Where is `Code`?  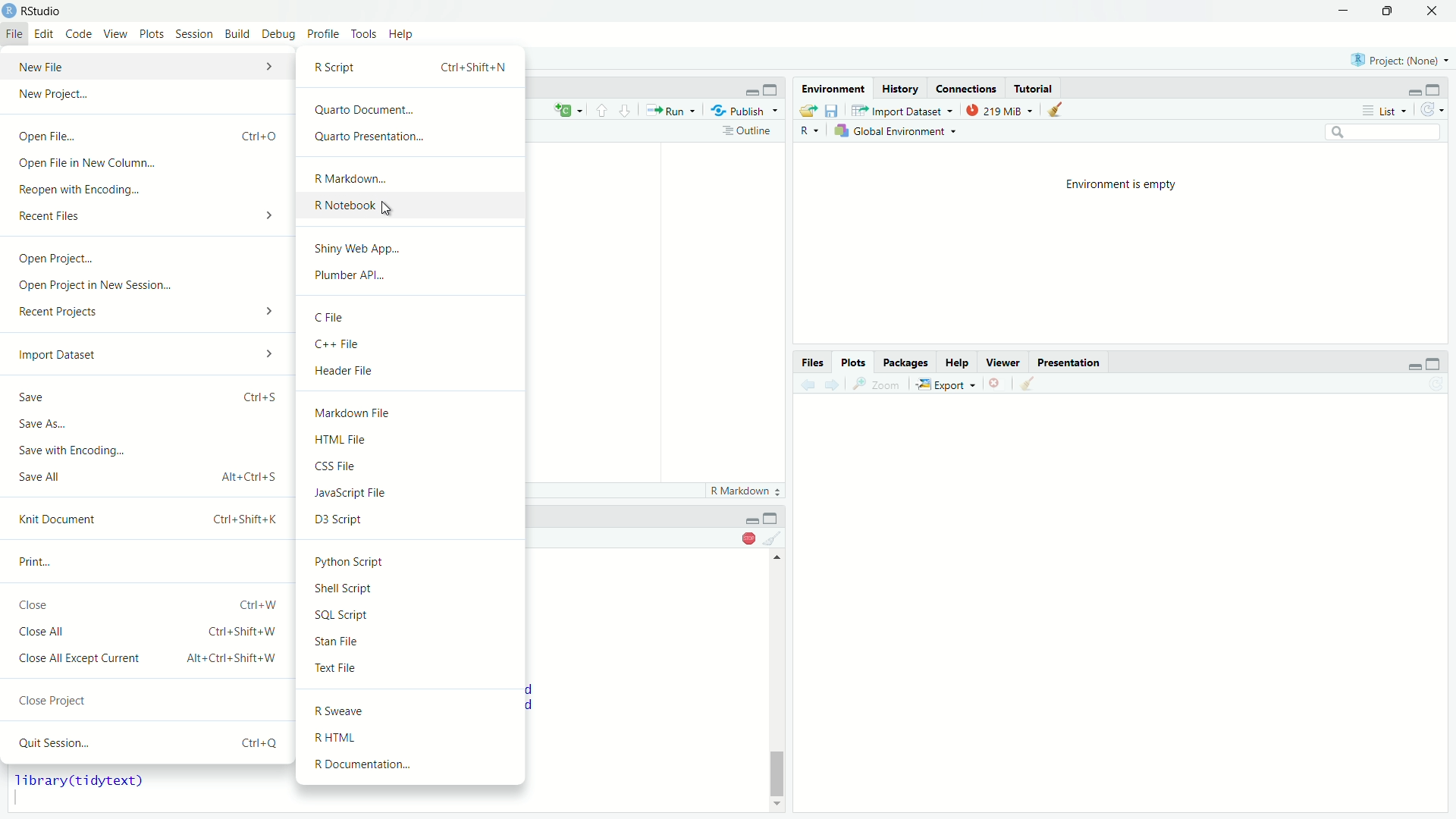
Code is located at coordinates (79, 34).